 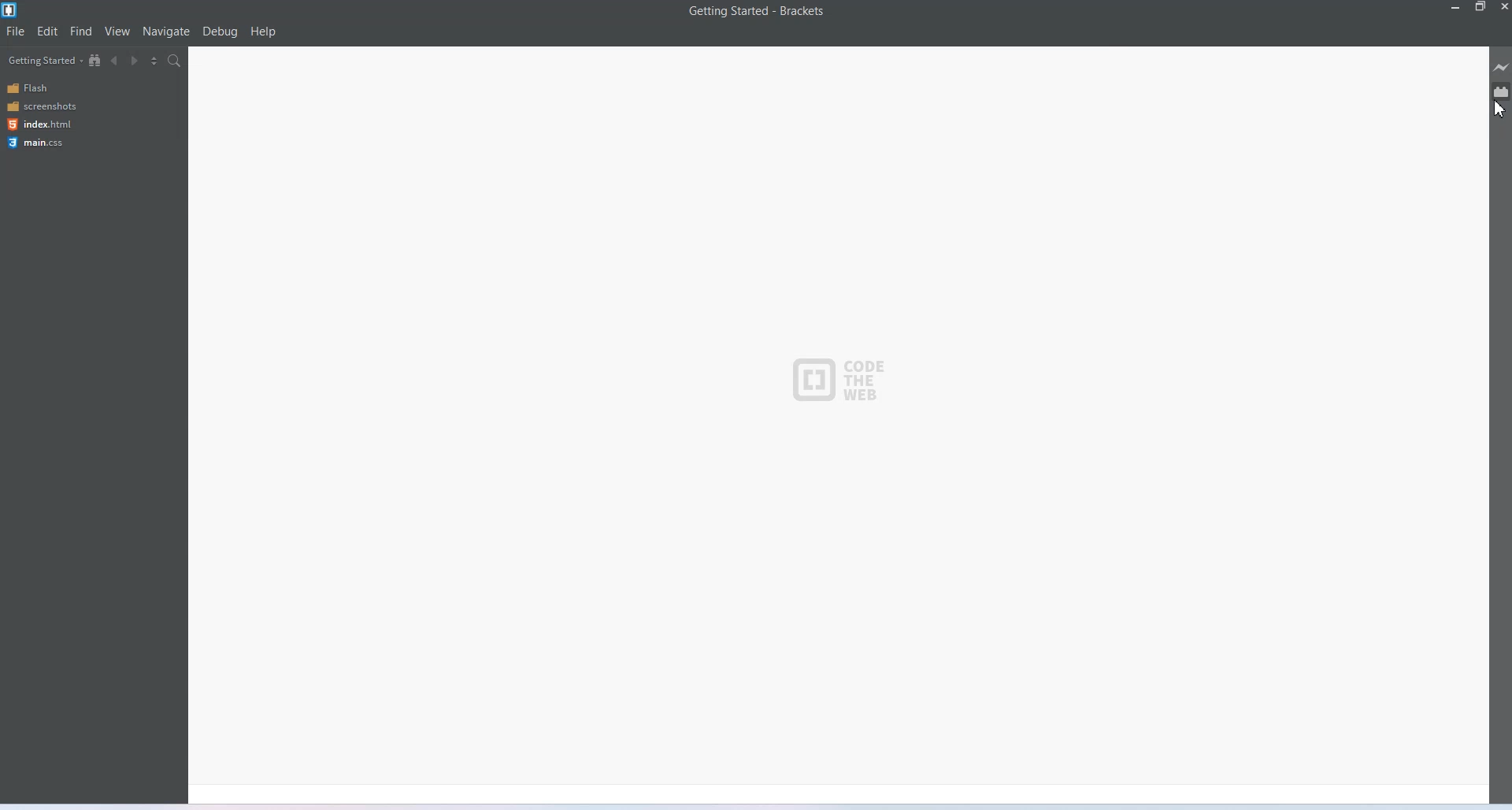 What do you see at coordinates (1499, 110) in the screenshot?
I see `Cursor` at bounding box center [1499, 110].